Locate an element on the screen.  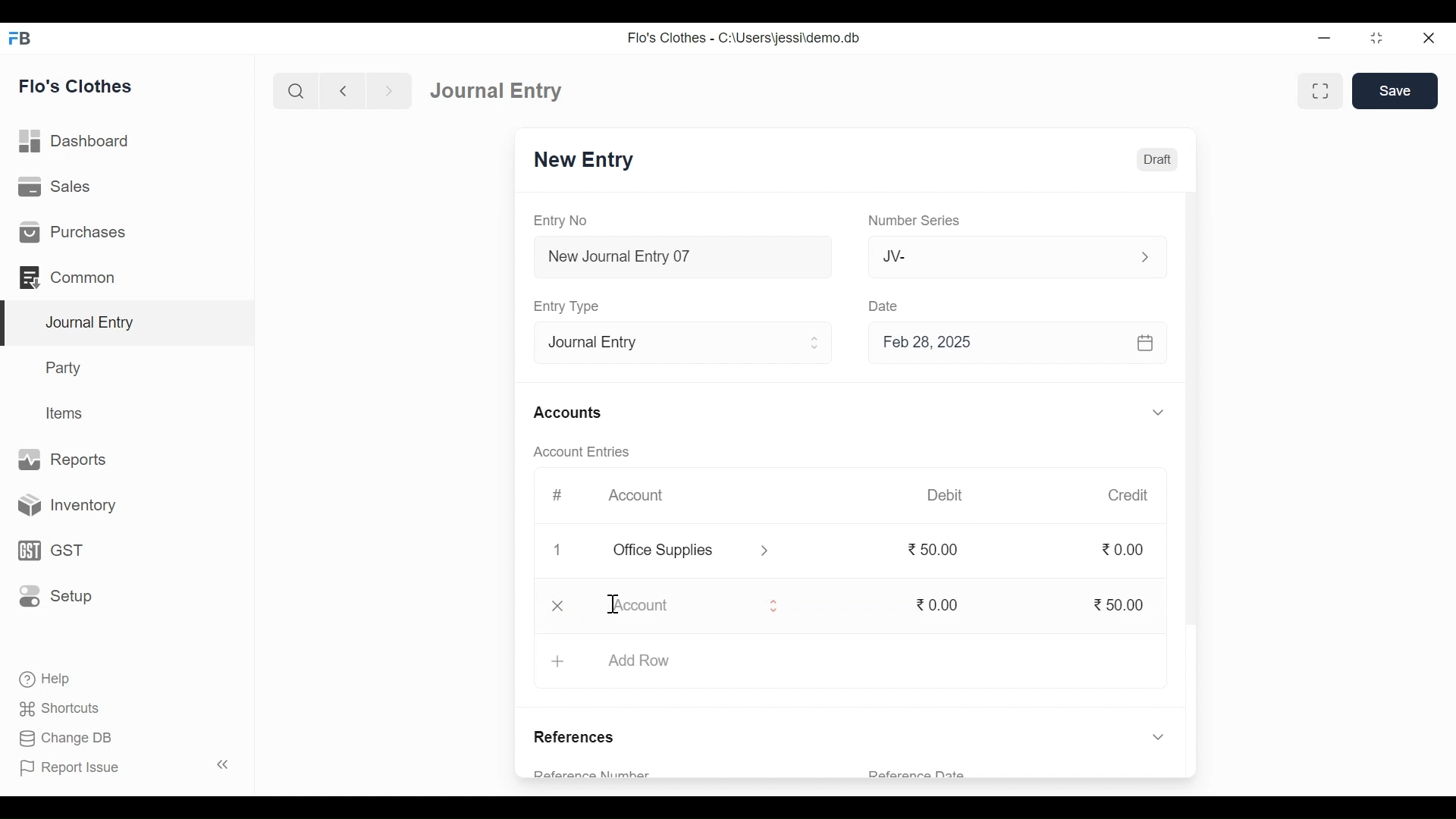
Entry Type is located at coordinates (670, 344).